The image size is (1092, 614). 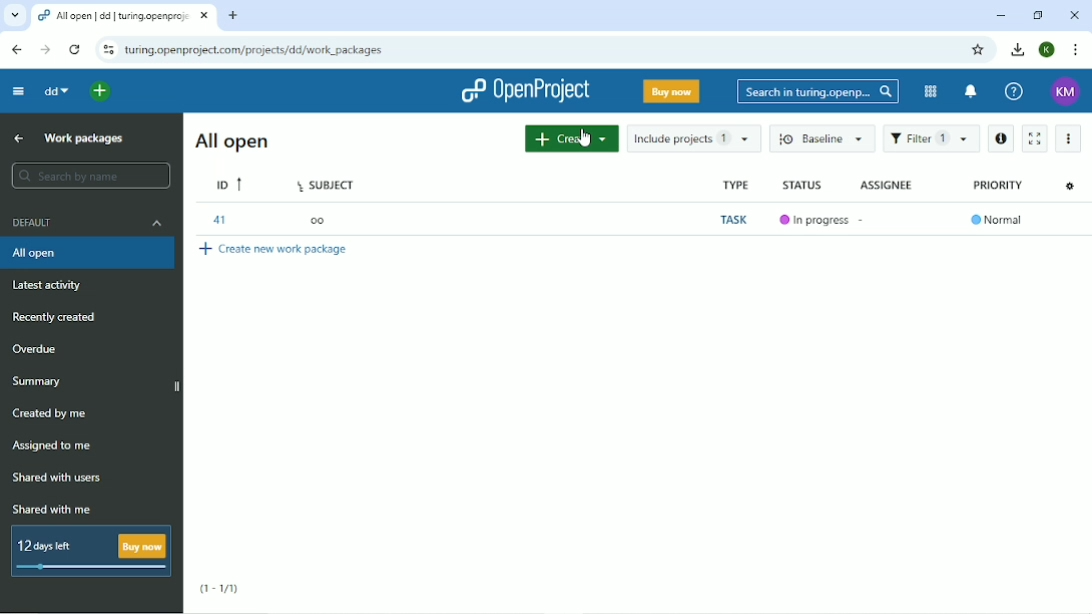 I want to click on dd, so click(x=57, y=91).